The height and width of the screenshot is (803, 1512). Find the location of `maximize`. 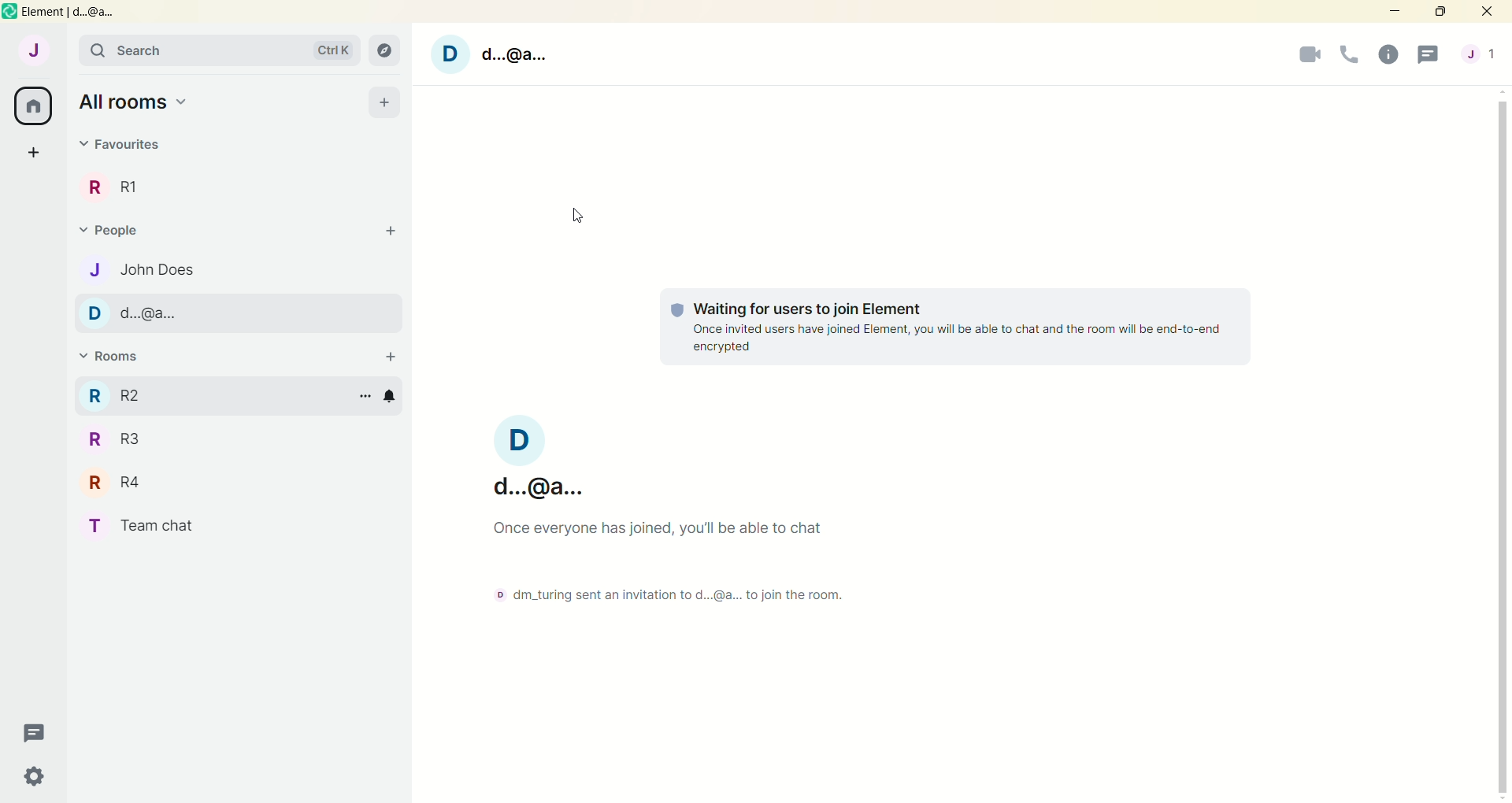

maximize is located at coordinates (1442, 10).